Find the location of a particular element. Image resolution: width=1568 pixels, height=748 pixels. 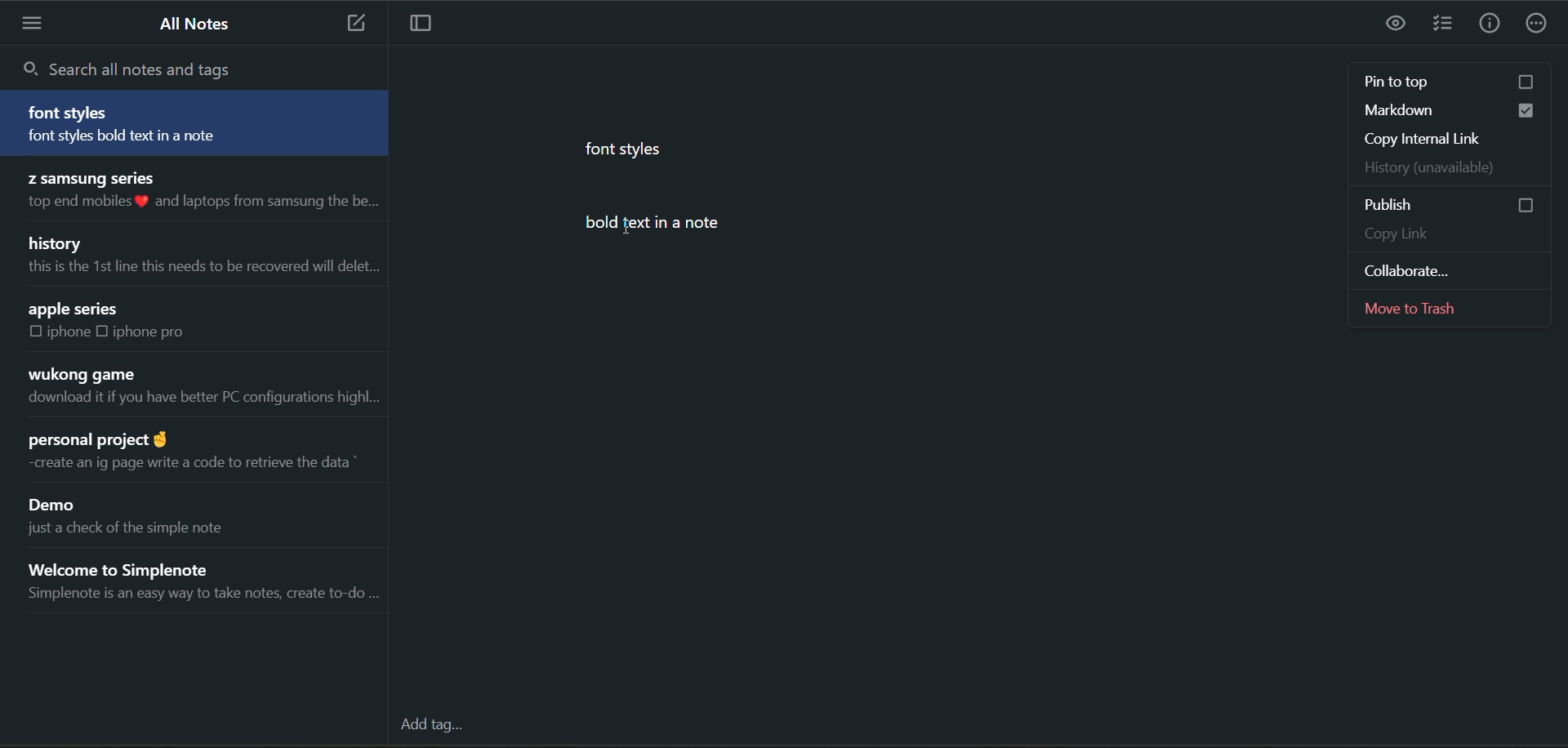

actions is located at coordinates (1537, 26).